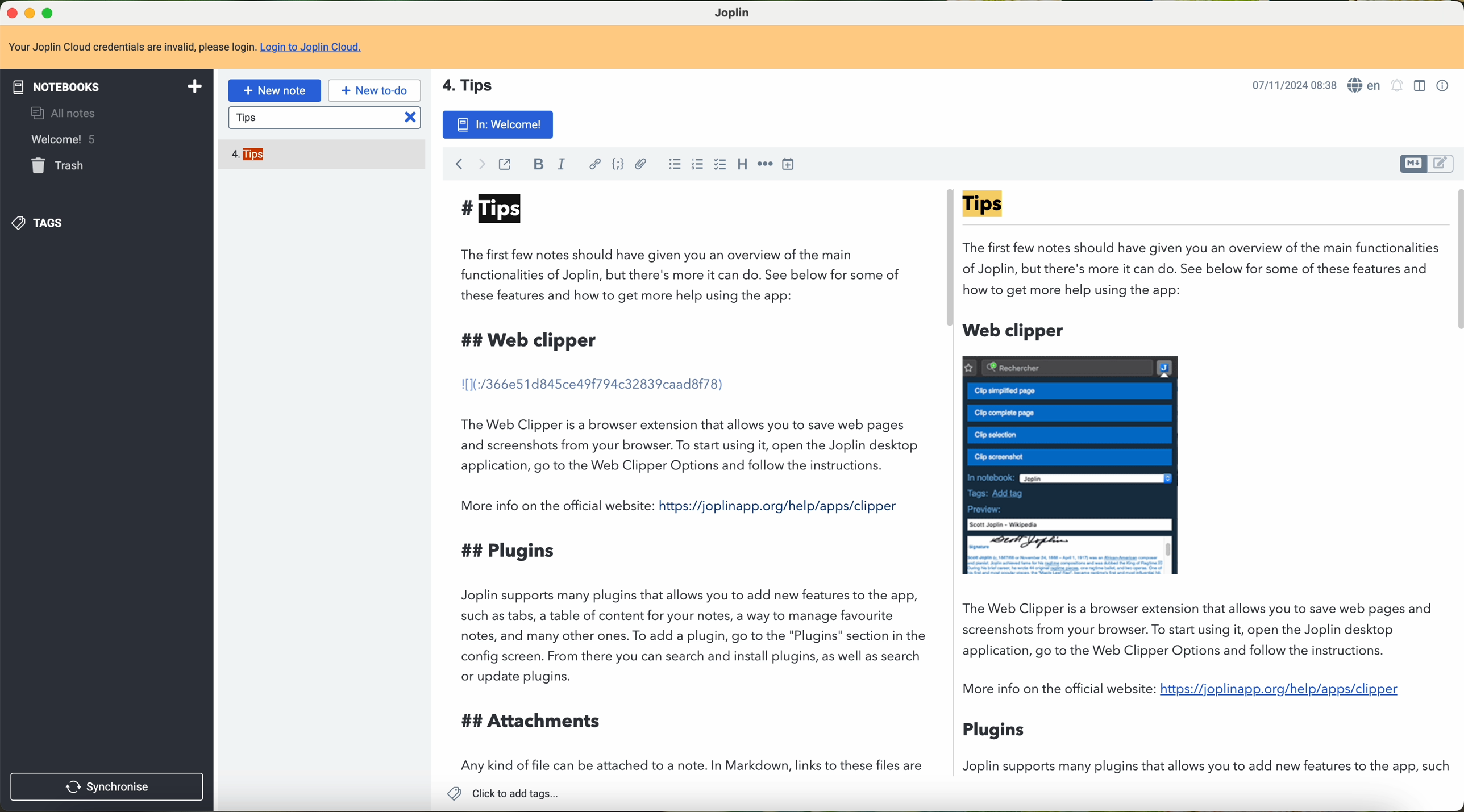 This screenshot has height=812, width=1464. I want to click on bold, so click(534, 164).